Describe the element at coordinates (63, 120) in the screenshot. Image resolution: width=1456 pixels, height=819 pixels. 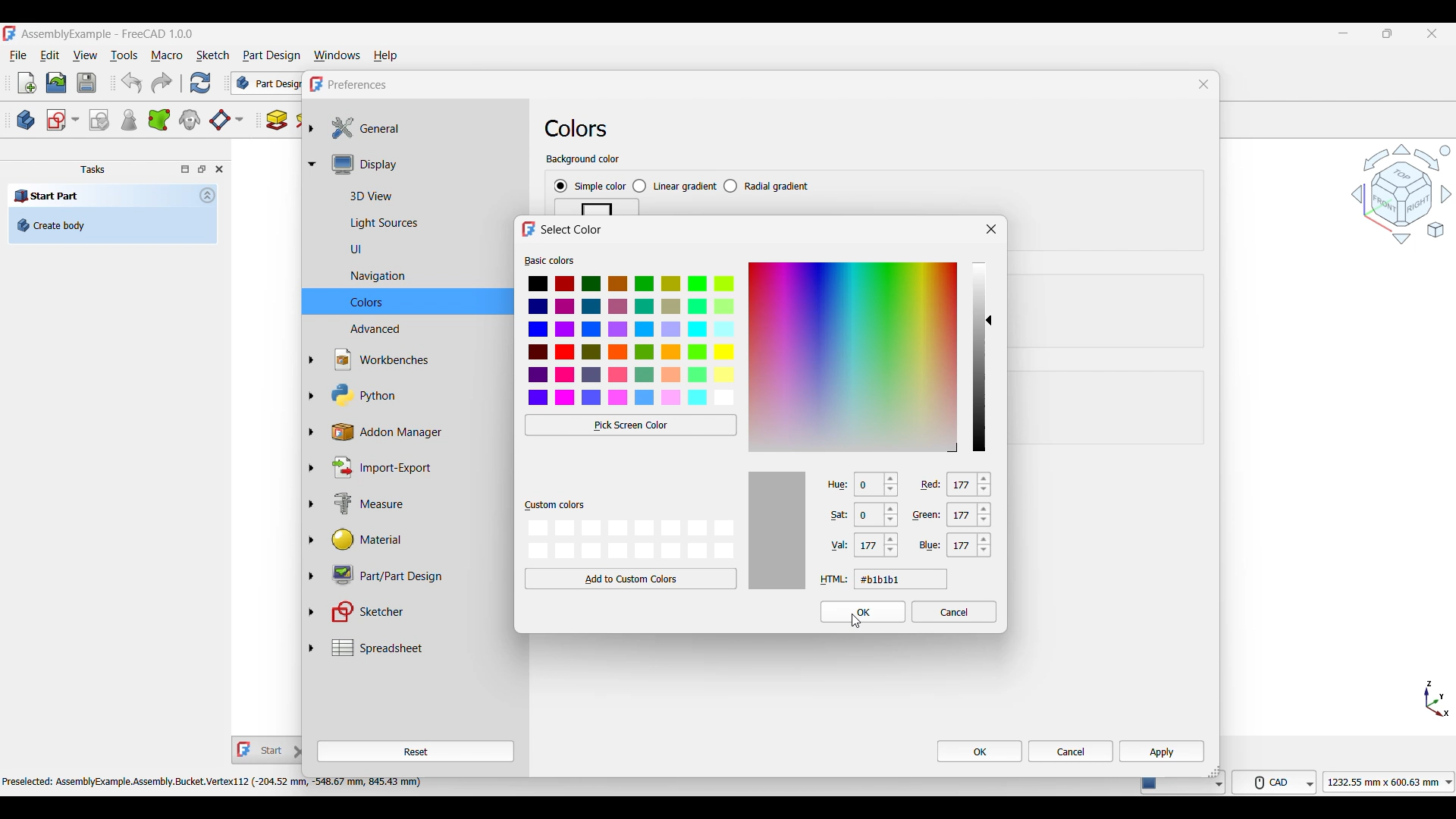
I see `Create a sketch options` at that location.